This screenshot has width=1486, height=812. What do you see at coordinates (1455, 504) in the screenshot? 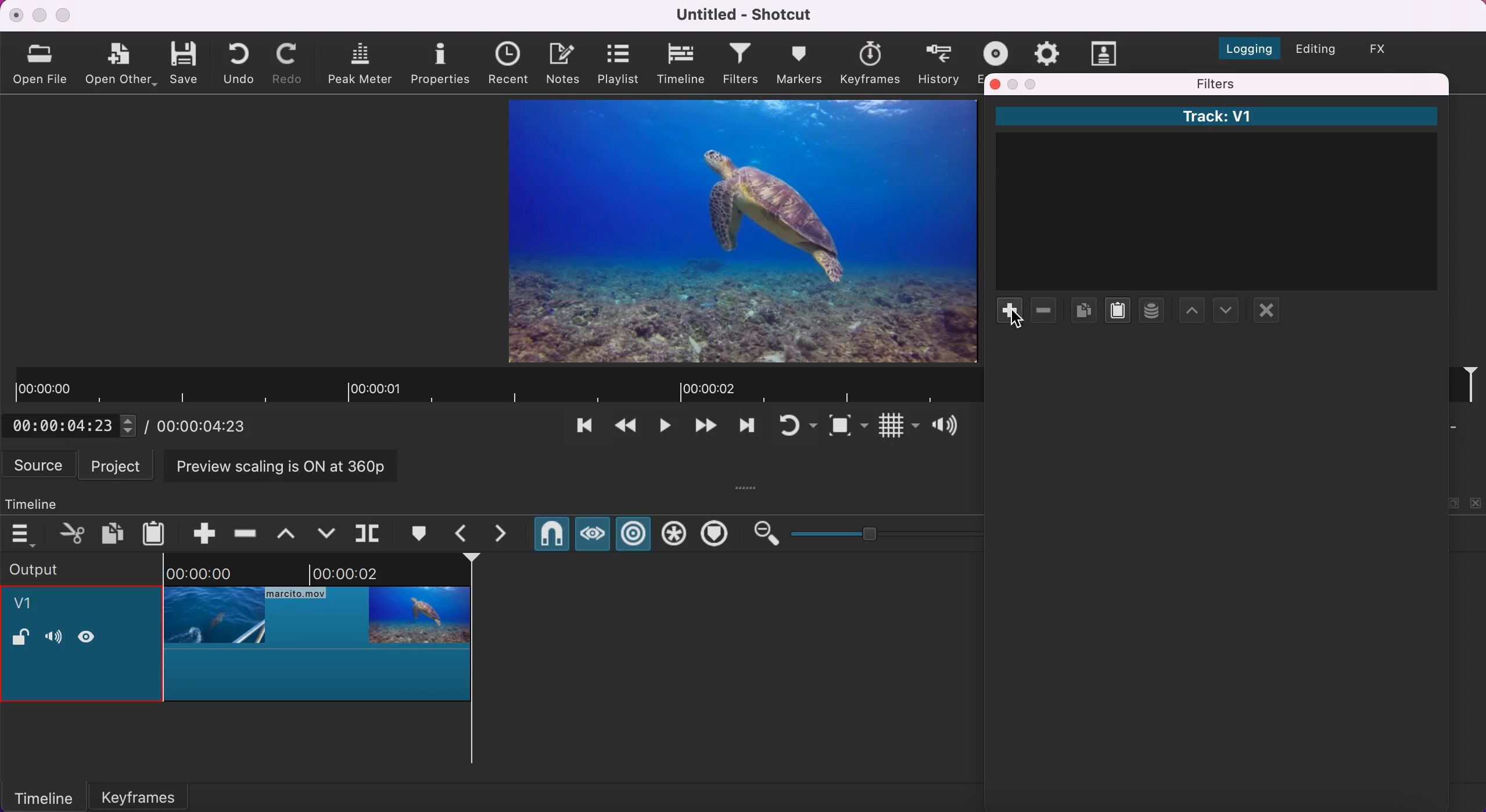
I see `maximize` at bounding box center [1455, 504].